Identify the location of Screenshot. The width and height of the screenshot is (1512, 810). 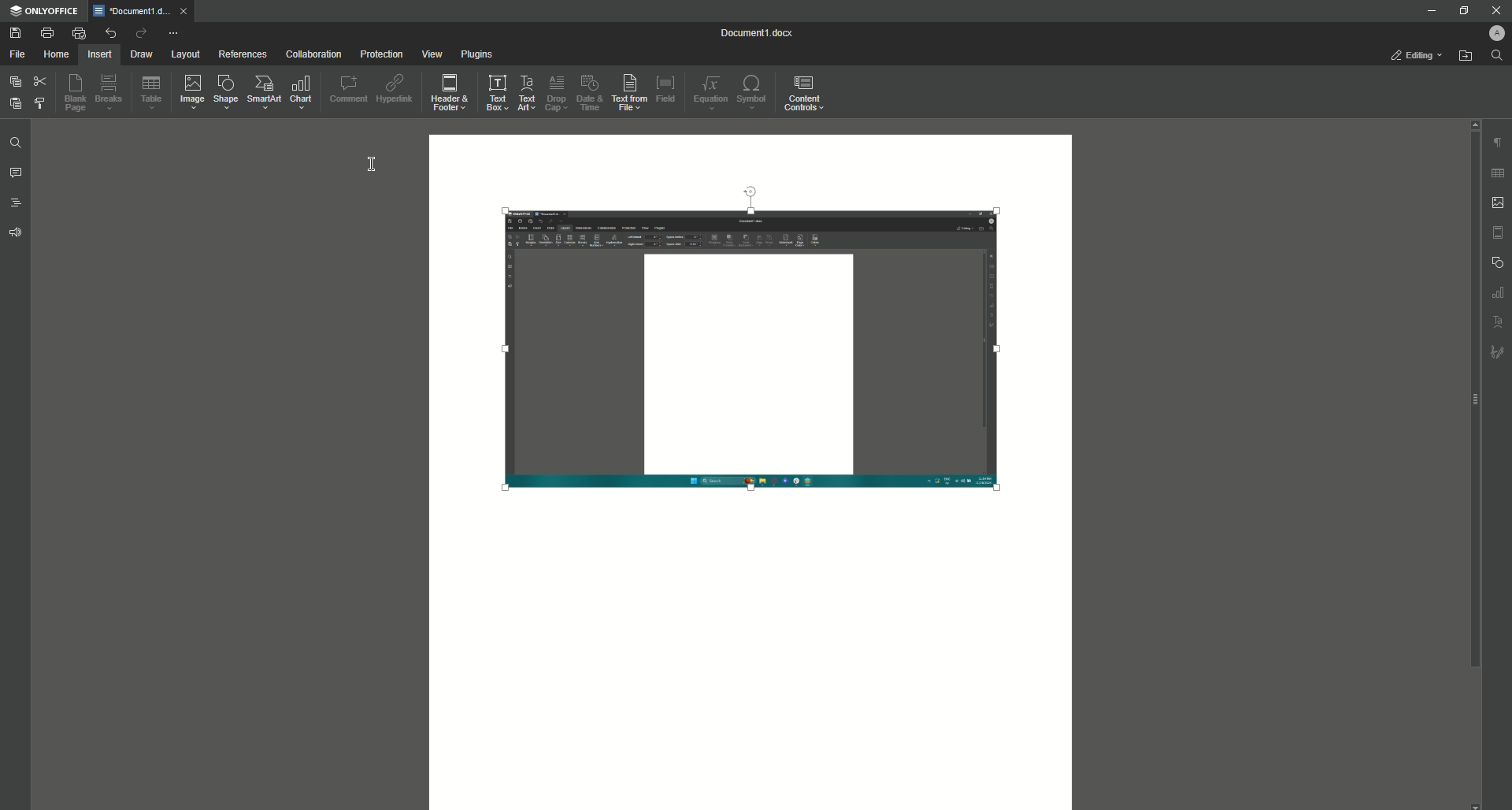
(760, 350).